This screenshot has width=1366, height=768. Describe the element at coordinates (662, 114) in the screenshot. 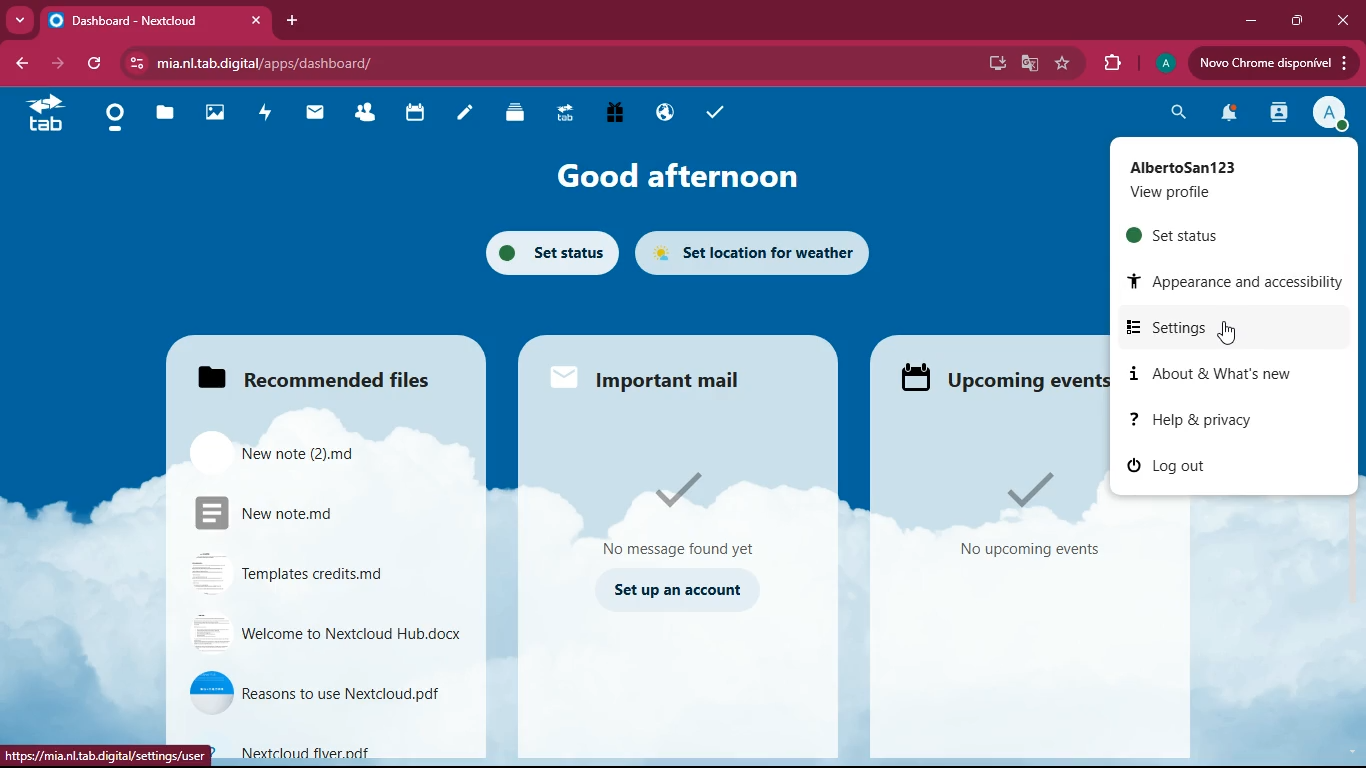

I see `public` at that location.